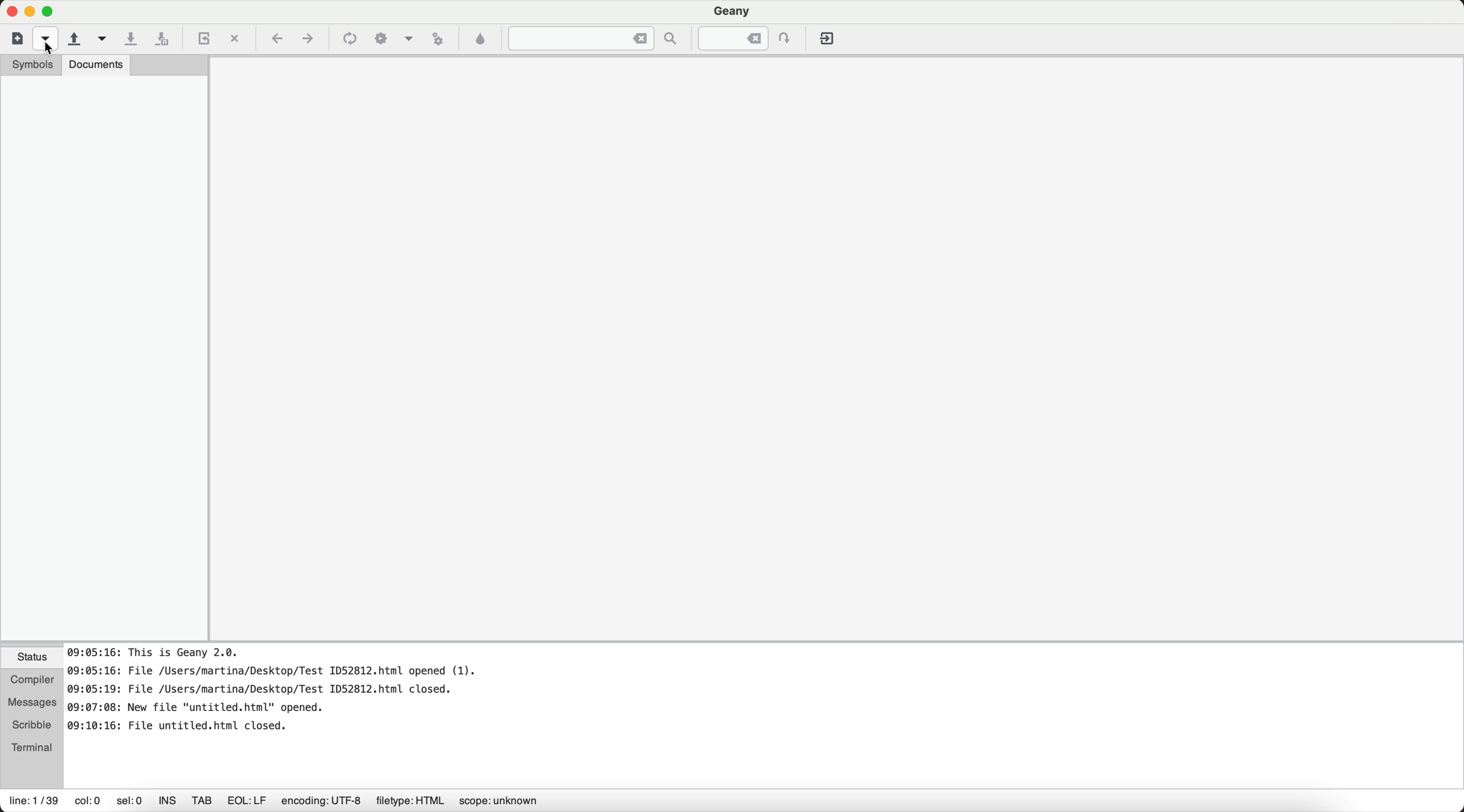 The image size is (1464, 812). I want to click on jump to the entered line numbered, so click(748, 39).